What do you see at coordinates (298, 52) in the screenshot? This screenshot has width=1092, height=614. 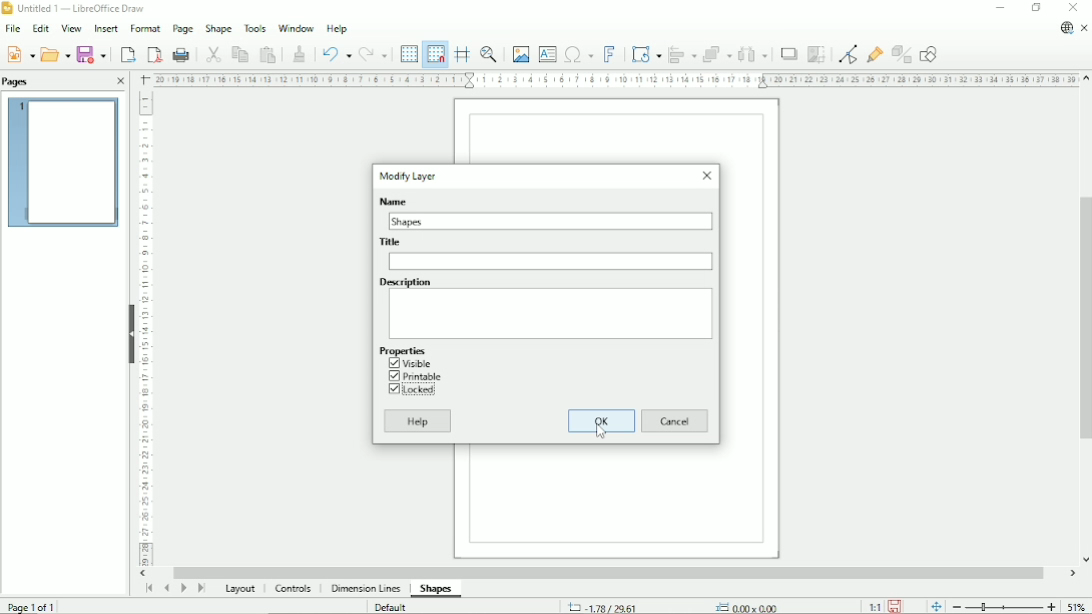 I see `Clone formatting` at bounding box center [298, 52].